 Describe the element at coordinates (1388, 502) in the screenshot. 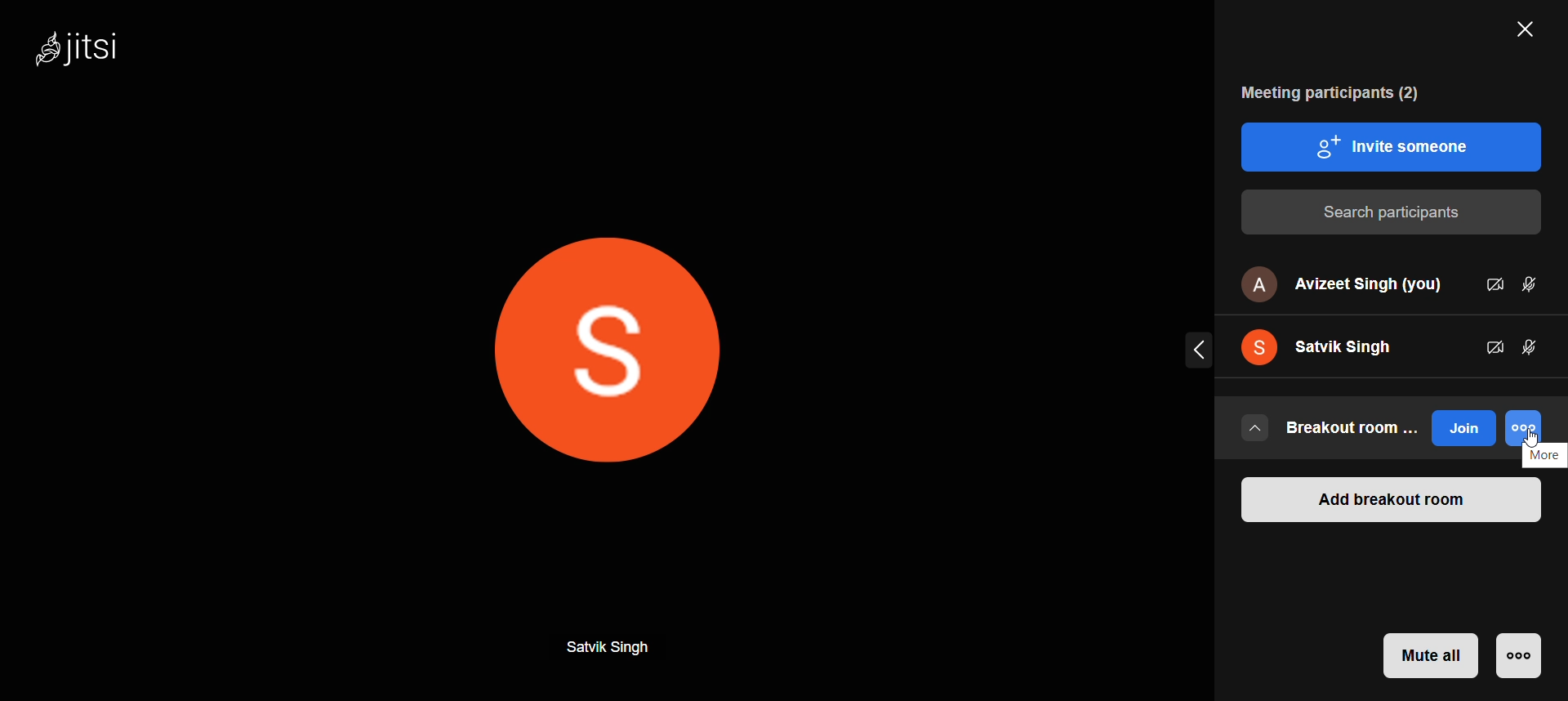

I see `add breakout room` at that location.